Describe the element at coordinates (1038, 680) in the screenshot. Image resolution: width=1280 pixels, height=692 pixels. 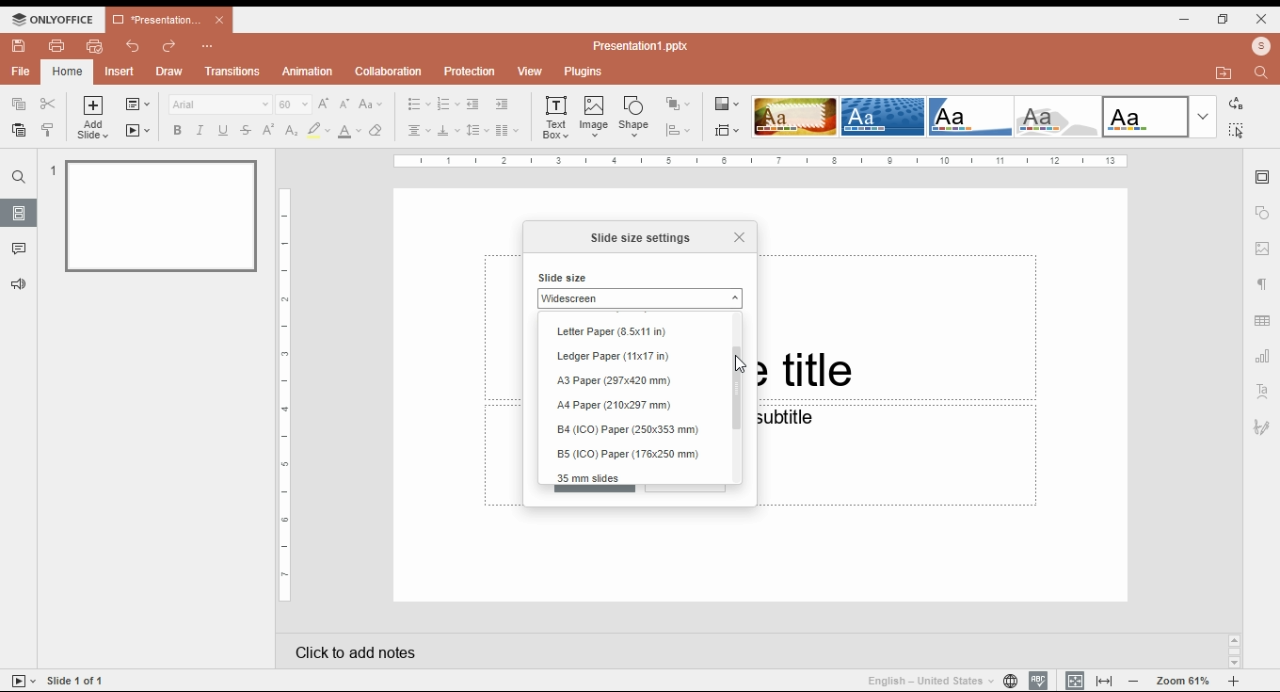
I see `spell check` at that location.